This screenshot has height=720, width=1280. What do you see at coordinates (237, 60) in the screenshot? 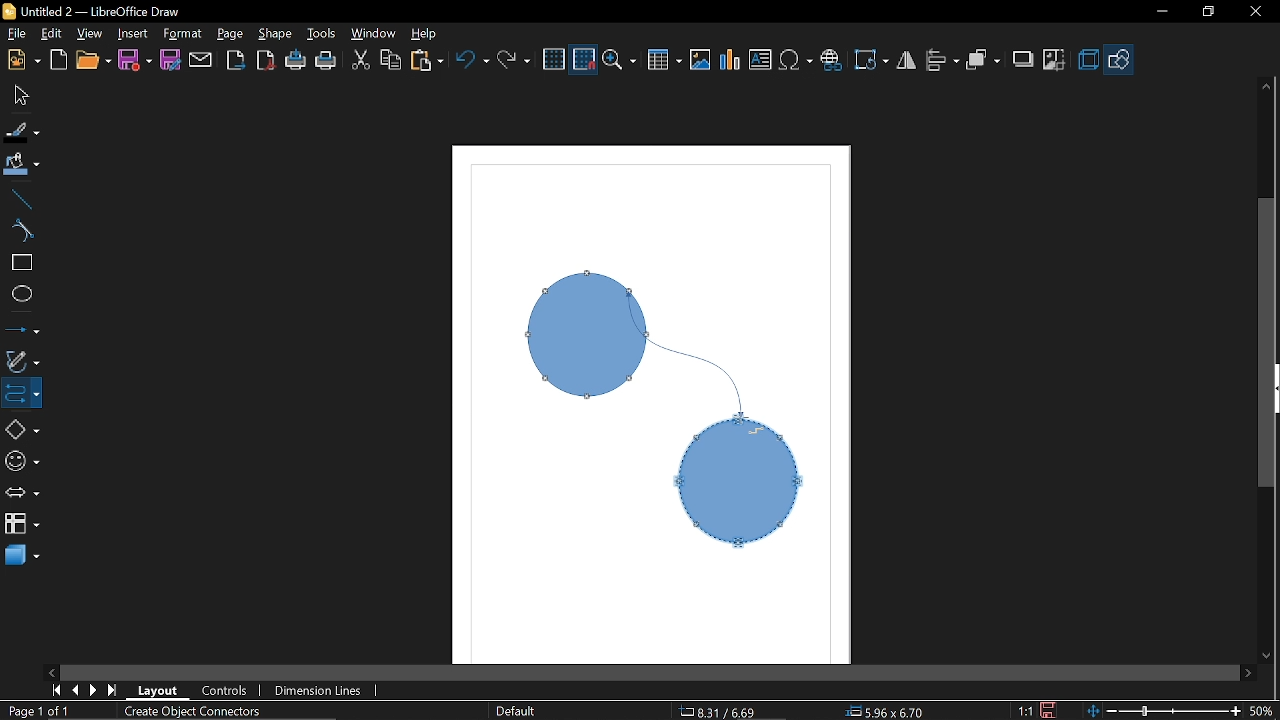
I see `Export` at bounding box center [237, 60].